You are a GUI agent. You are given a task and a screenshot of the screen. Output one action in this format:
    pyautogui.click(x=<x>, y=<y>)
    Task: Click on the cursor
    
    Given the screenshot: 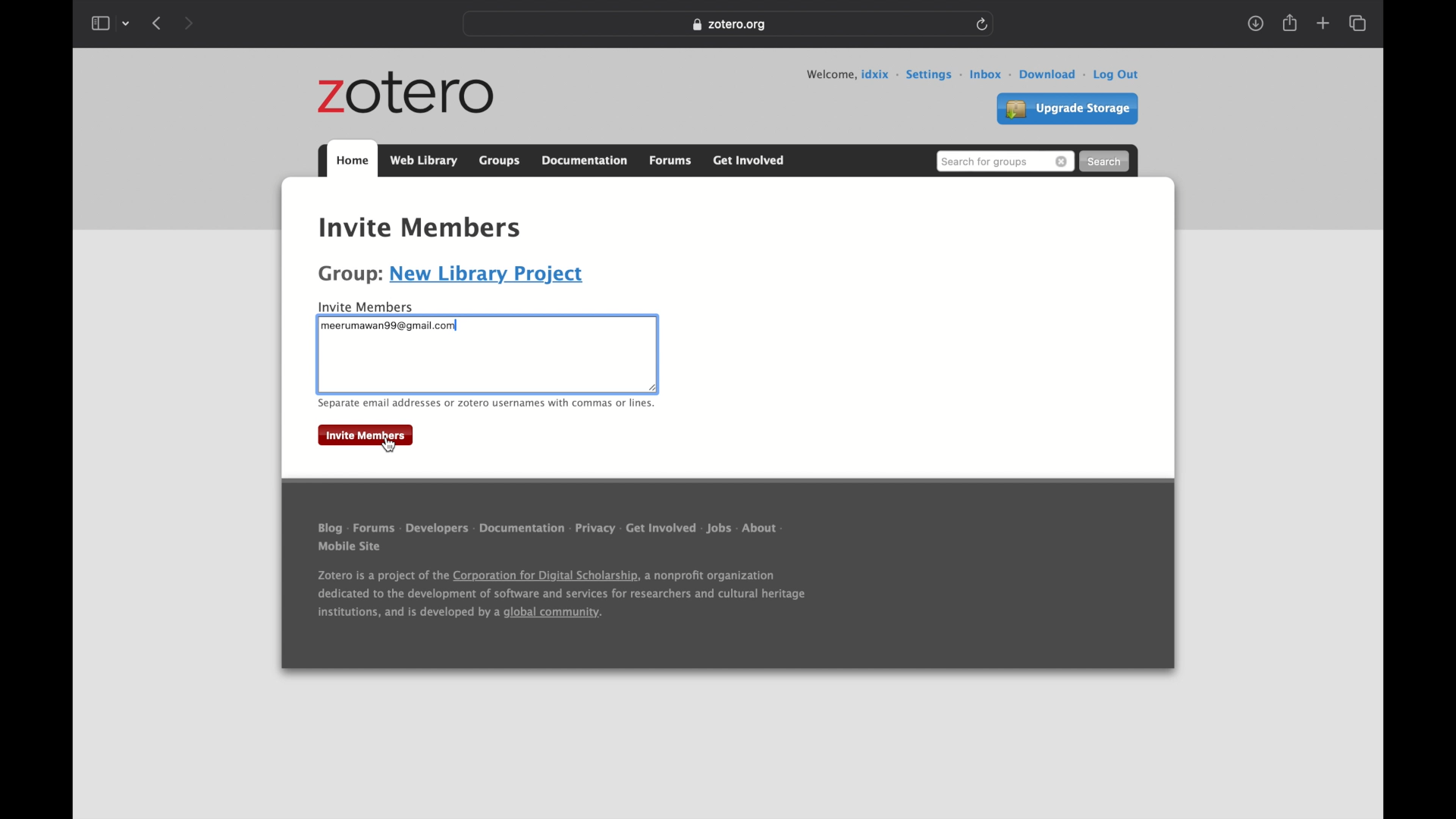 What is the action you would take?
    pyautogui.click(x=391, y=445)
    